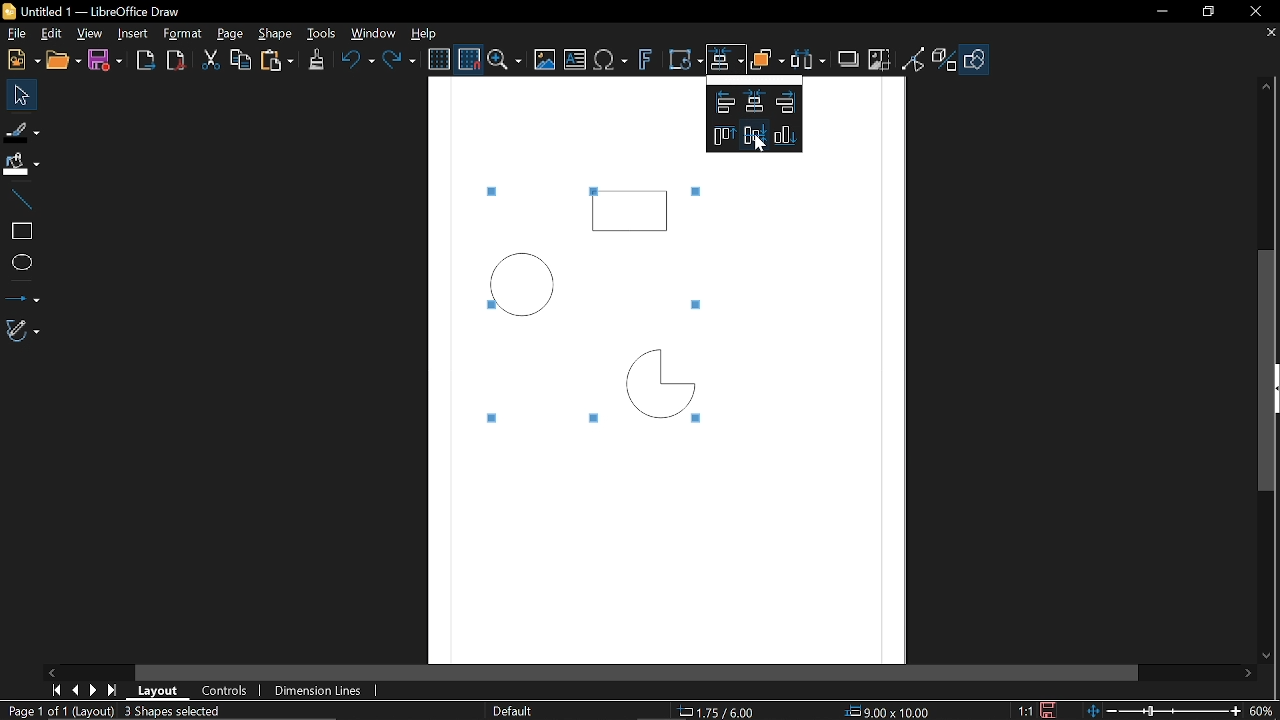 This screenshot has width=1280, height=720. I want to click on Transform, so click(686, 60).